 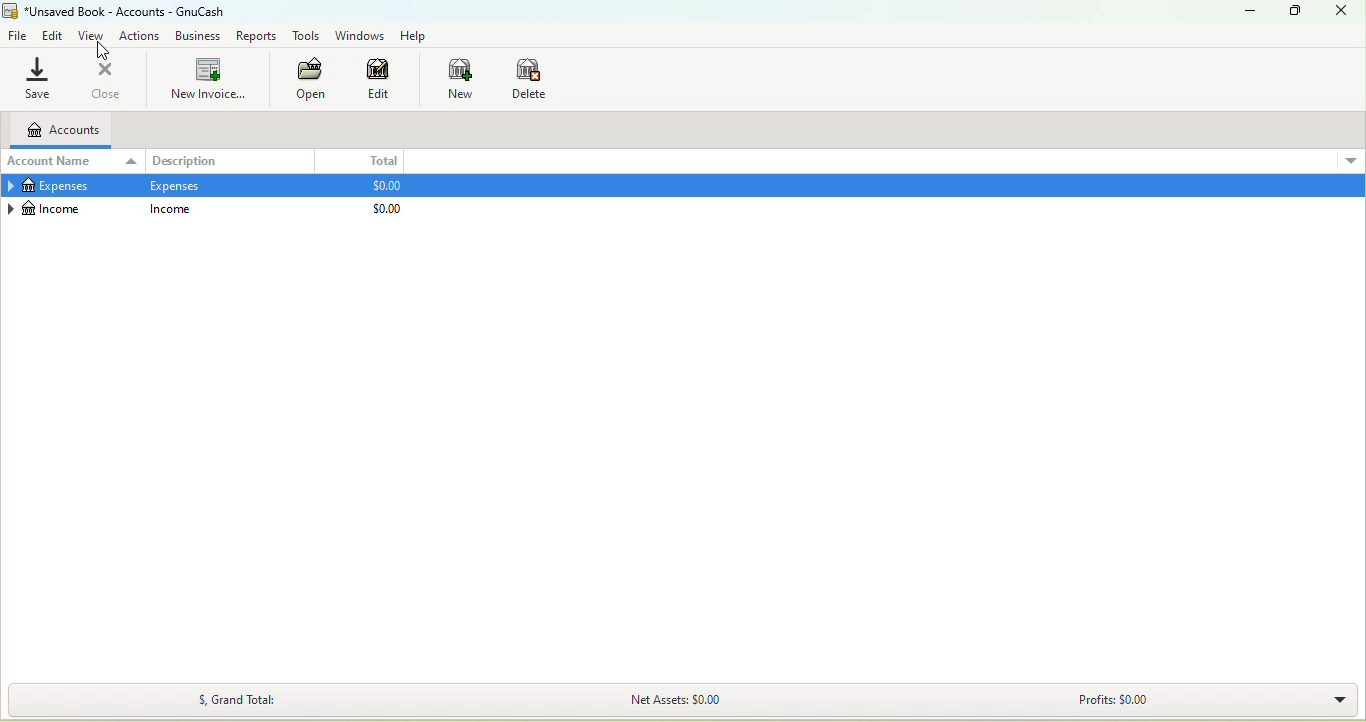 What do you see at coordinates (9, 208) in the screenshot?
I see `Collapse` at bounding box center [9, 208].